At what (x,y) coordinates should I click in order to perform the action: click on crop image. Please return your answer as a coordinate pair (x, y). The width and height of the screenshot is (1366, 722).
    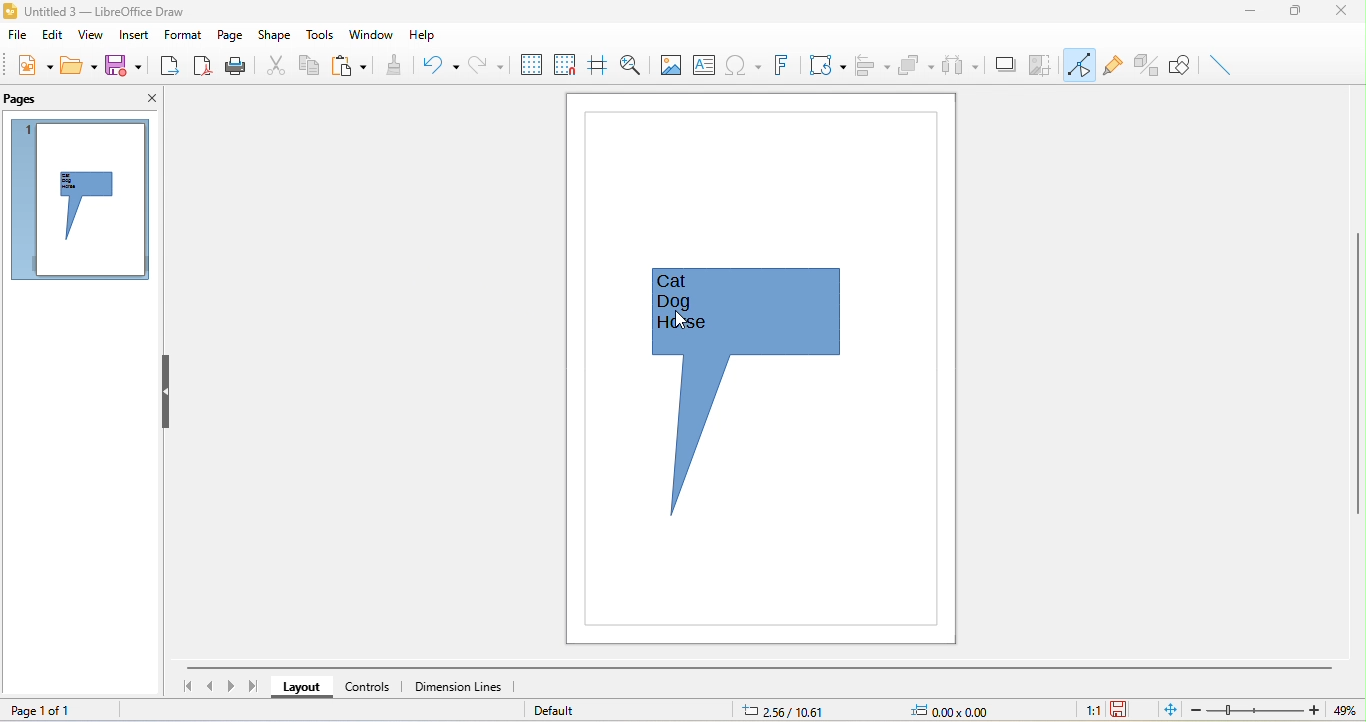
    Looking at the image, I should click on (1042, 66).